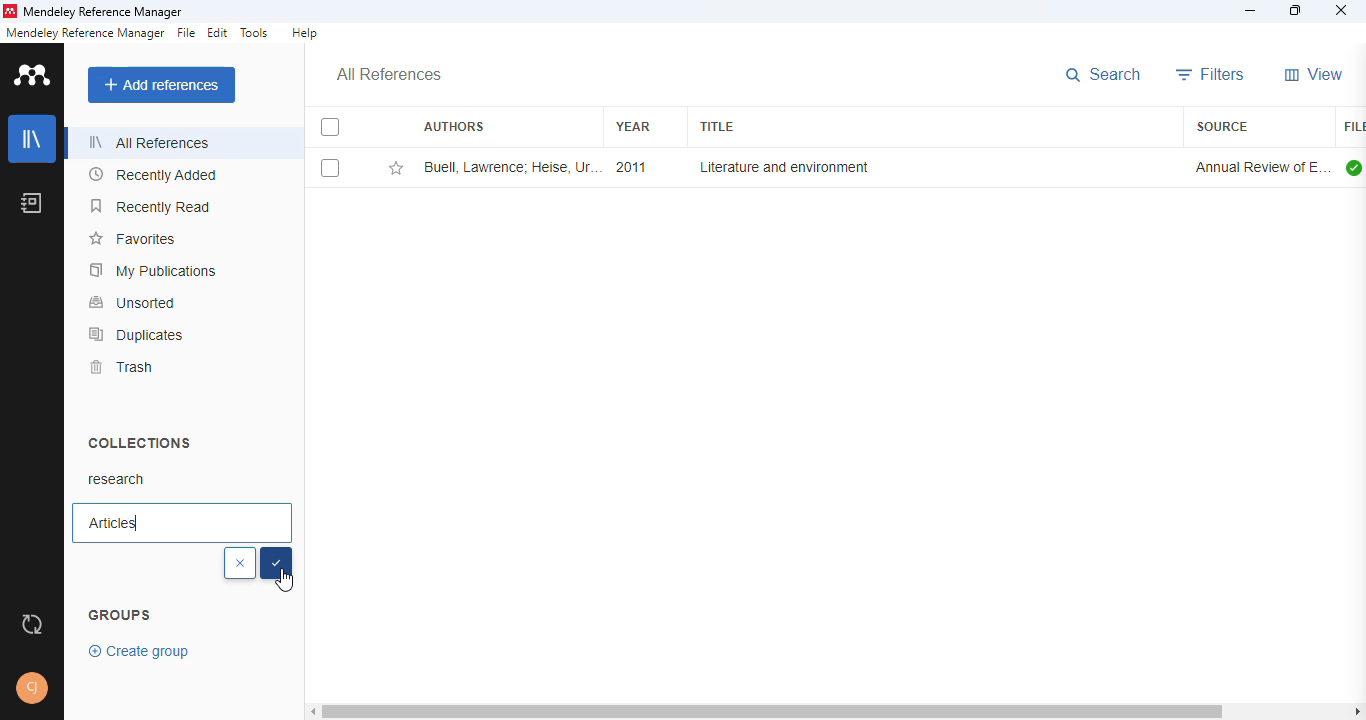 This screenshot has width=1366, height=720. I want to click on cancel, so click(241, 563).